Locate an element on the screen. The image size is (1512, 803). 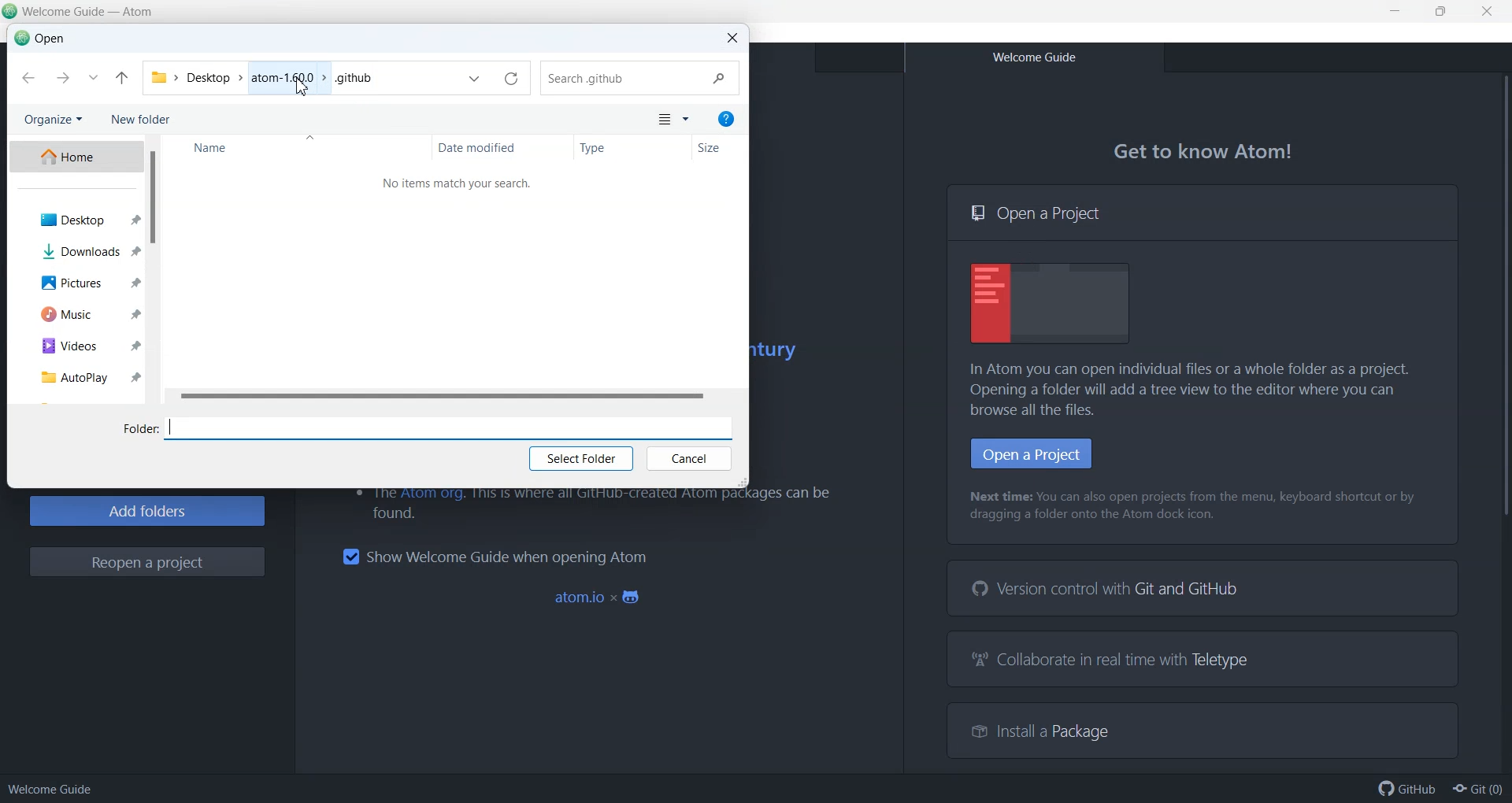
Up to atom-1.60.0 file is located at coordinates (122, 79).